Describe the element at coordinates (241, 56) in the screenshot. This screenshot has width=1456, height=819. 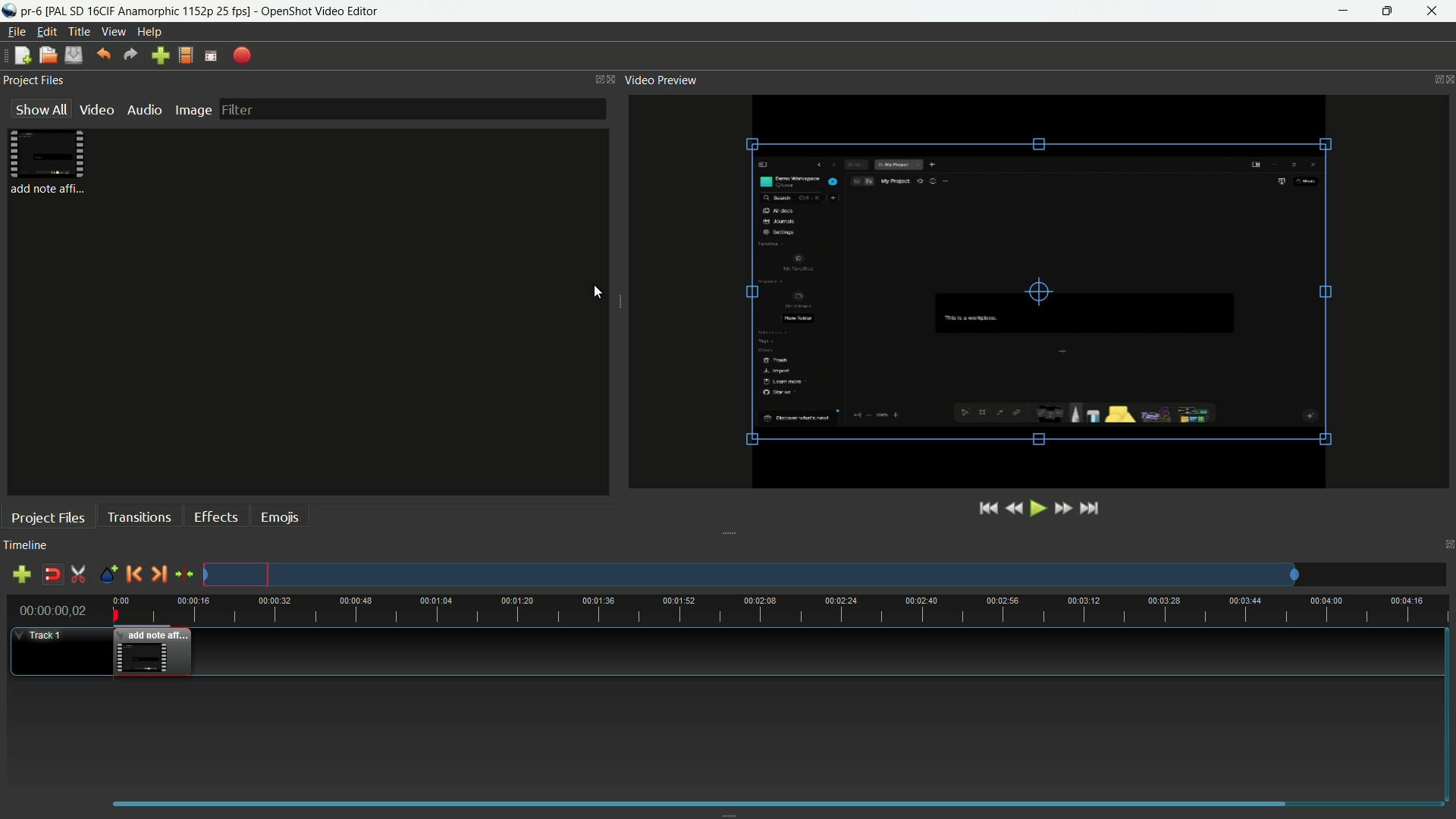
I see `export` at that location.